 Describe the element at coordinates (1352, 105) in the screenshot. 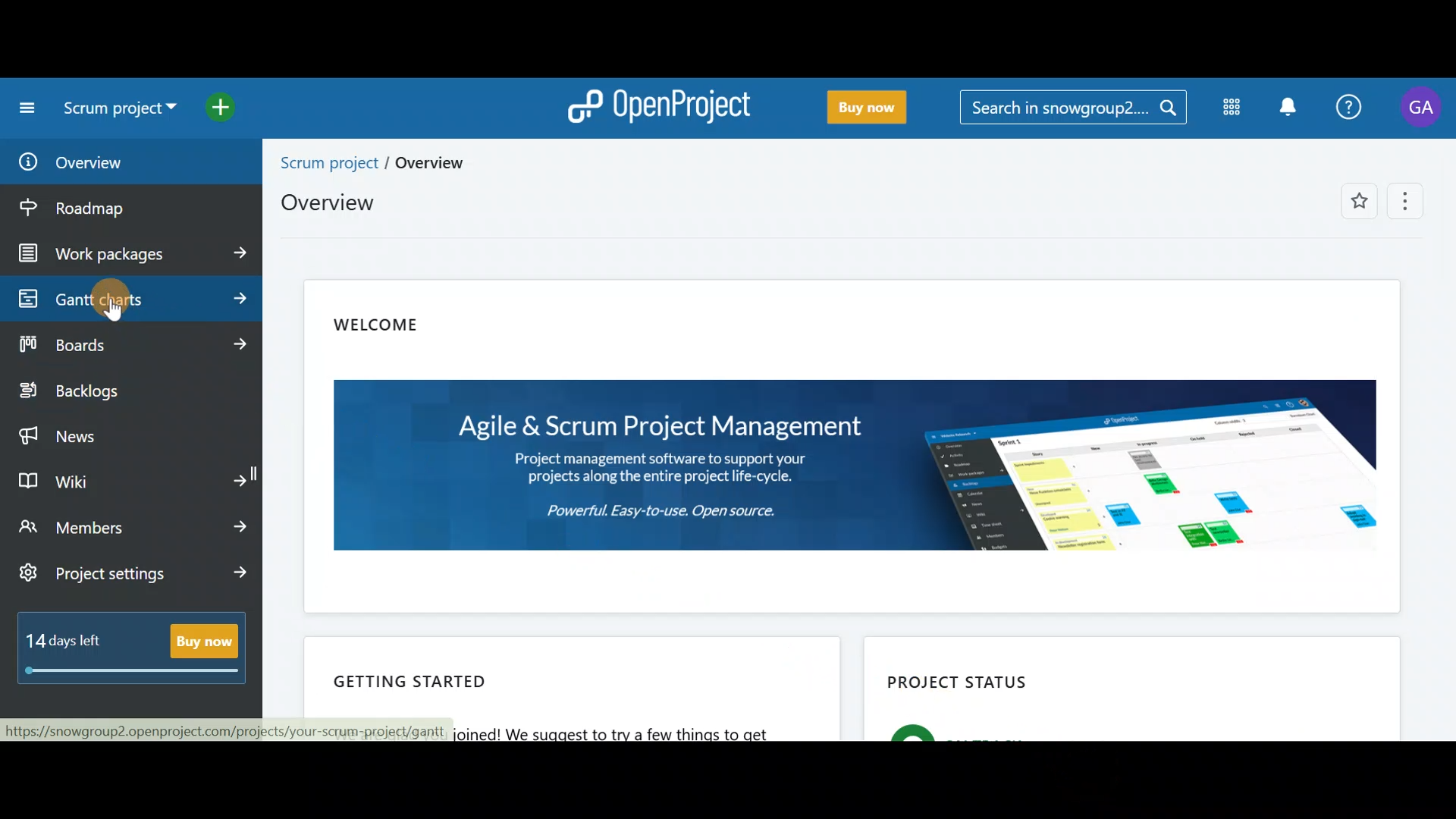

I see `Help` at that location.